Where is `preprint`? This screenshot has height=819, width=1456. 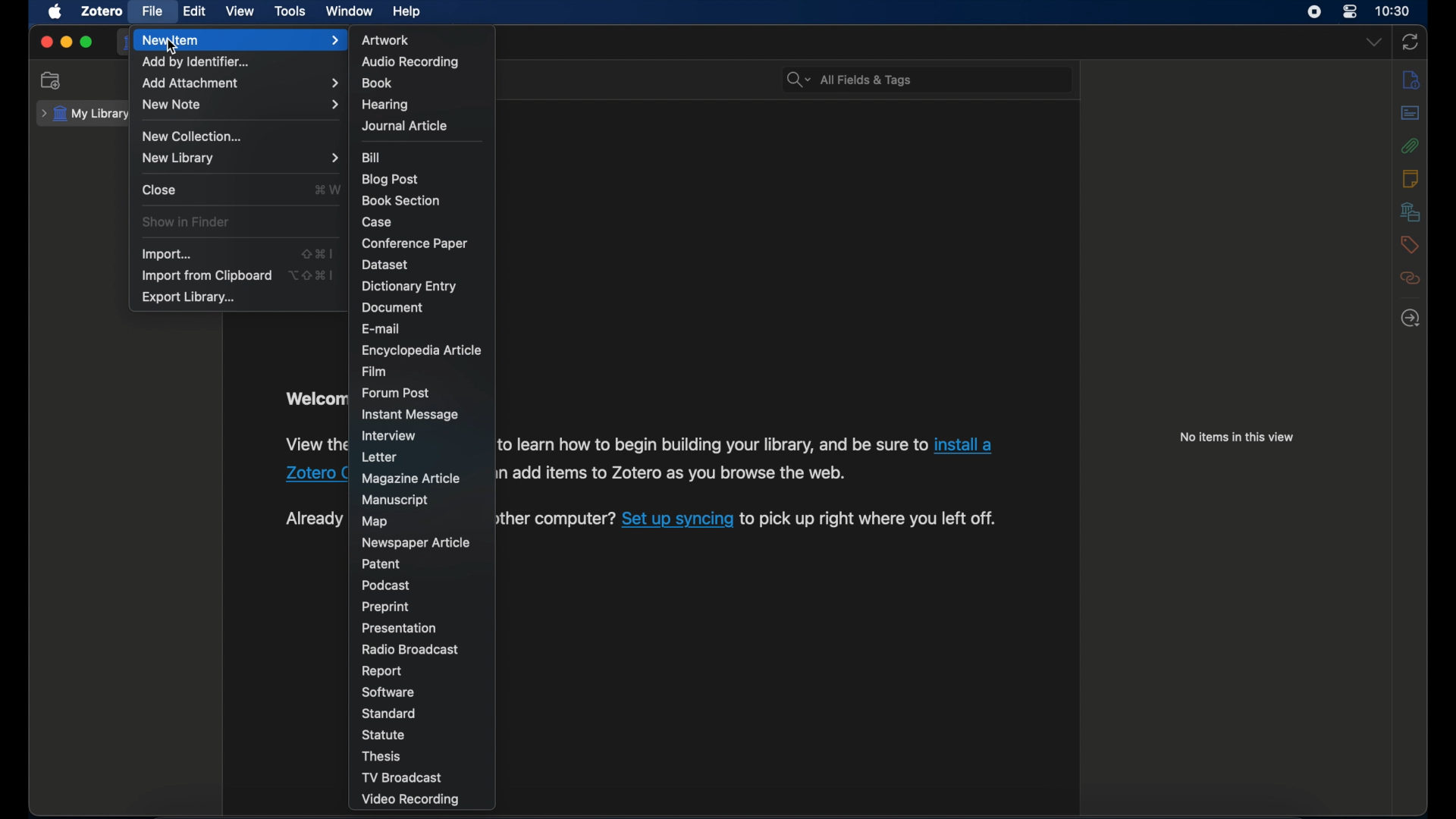
preprint is located at coordinates (385, 608).